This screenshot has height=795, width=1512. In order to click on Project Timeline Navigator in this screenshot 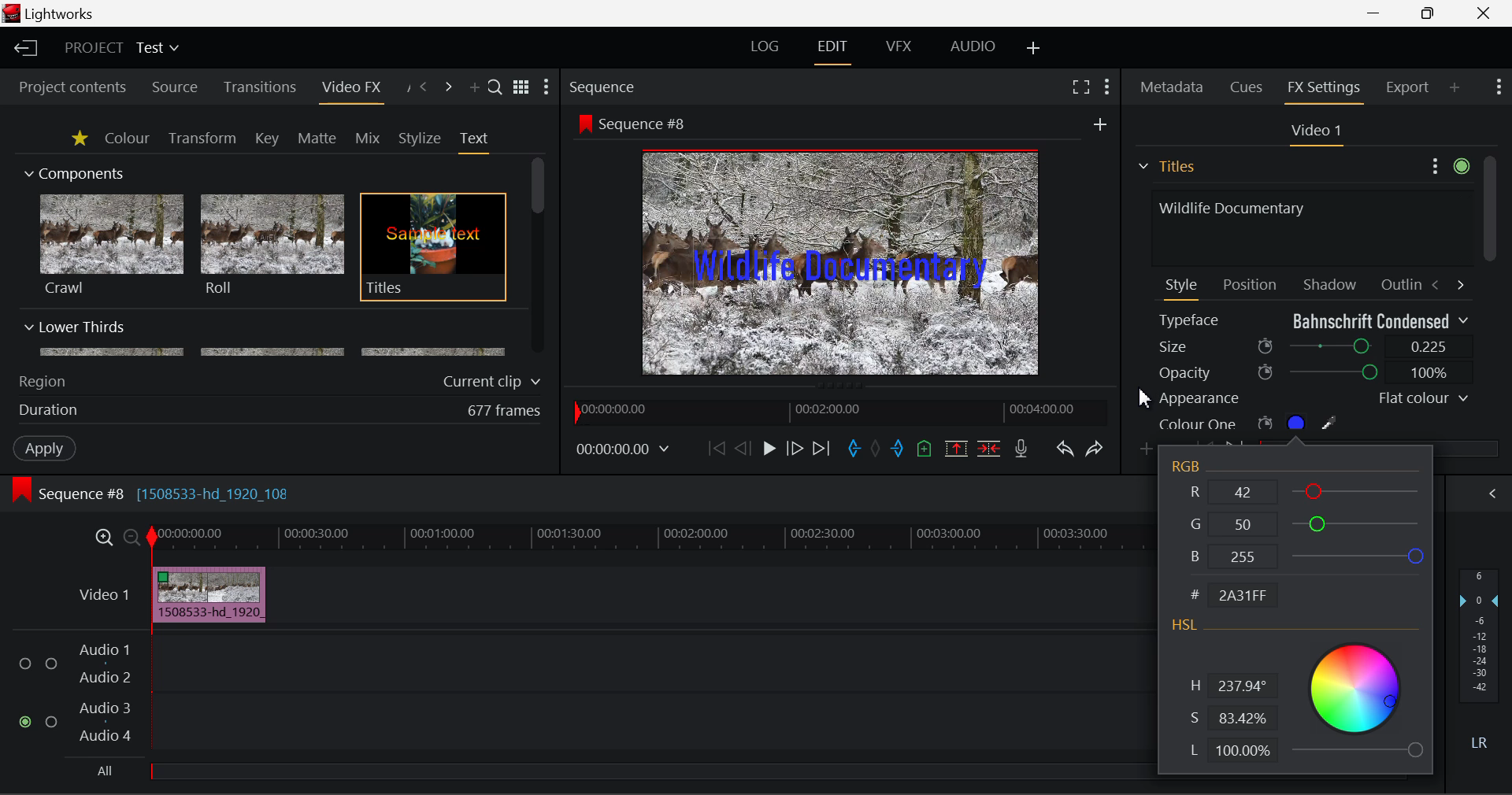, I will do `click(839, 409)`.